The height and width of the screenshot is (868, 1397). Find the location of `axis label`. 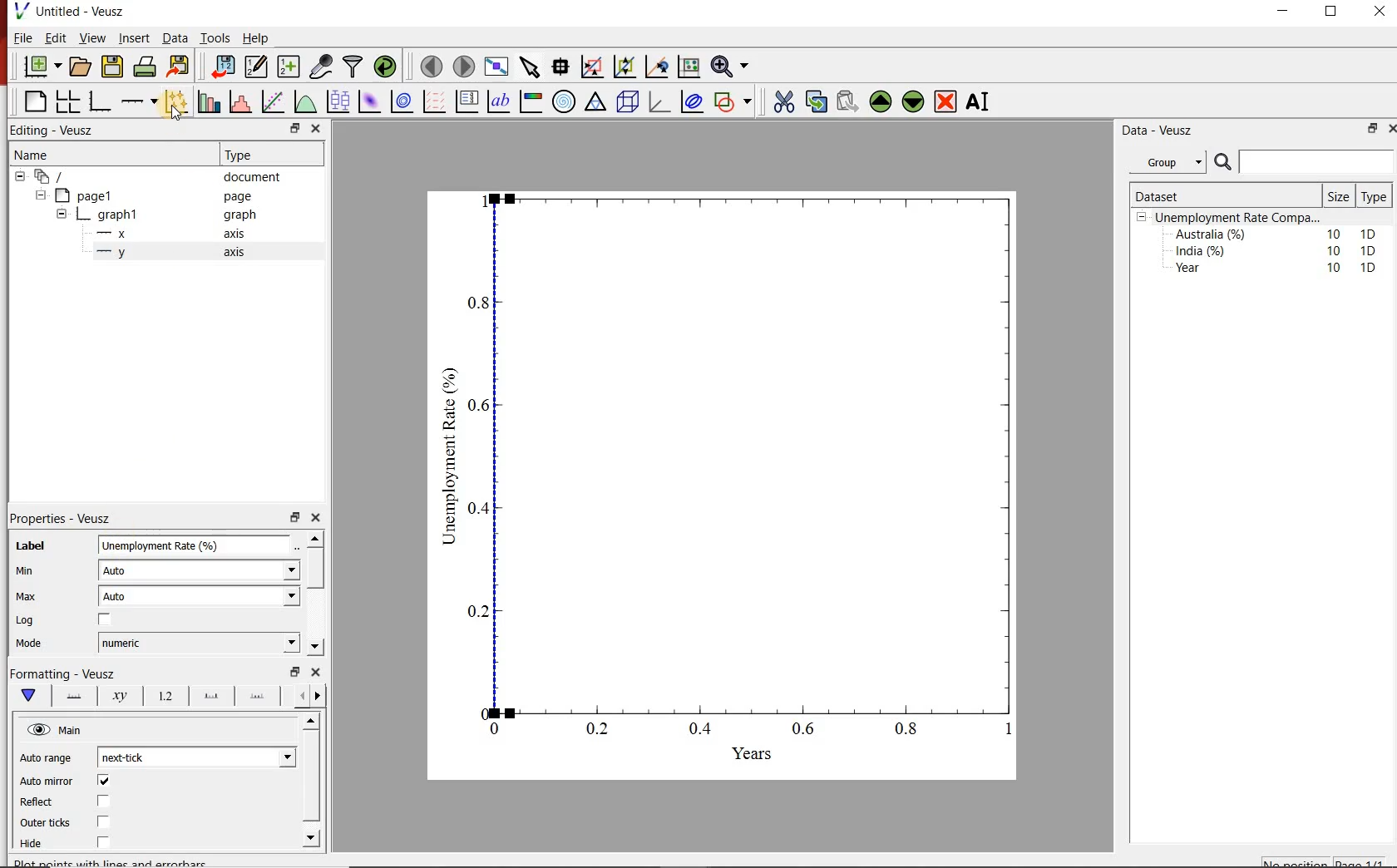

axis label is located at coordinates (119, 697).